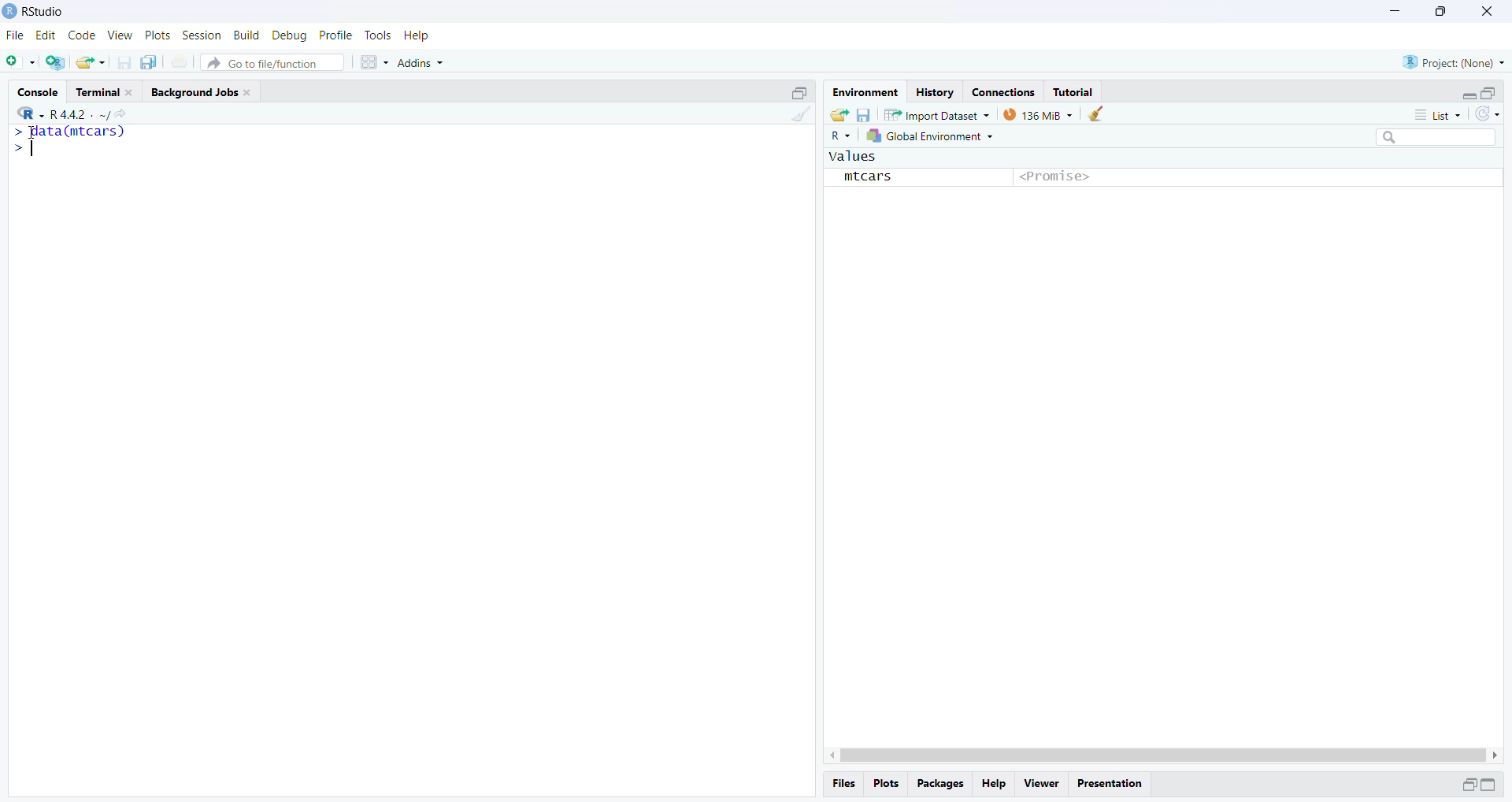 Image resolution: width=1512 pixels, height=802 pixels. I want to click on R.4.4.2~/, so click(74, 113).